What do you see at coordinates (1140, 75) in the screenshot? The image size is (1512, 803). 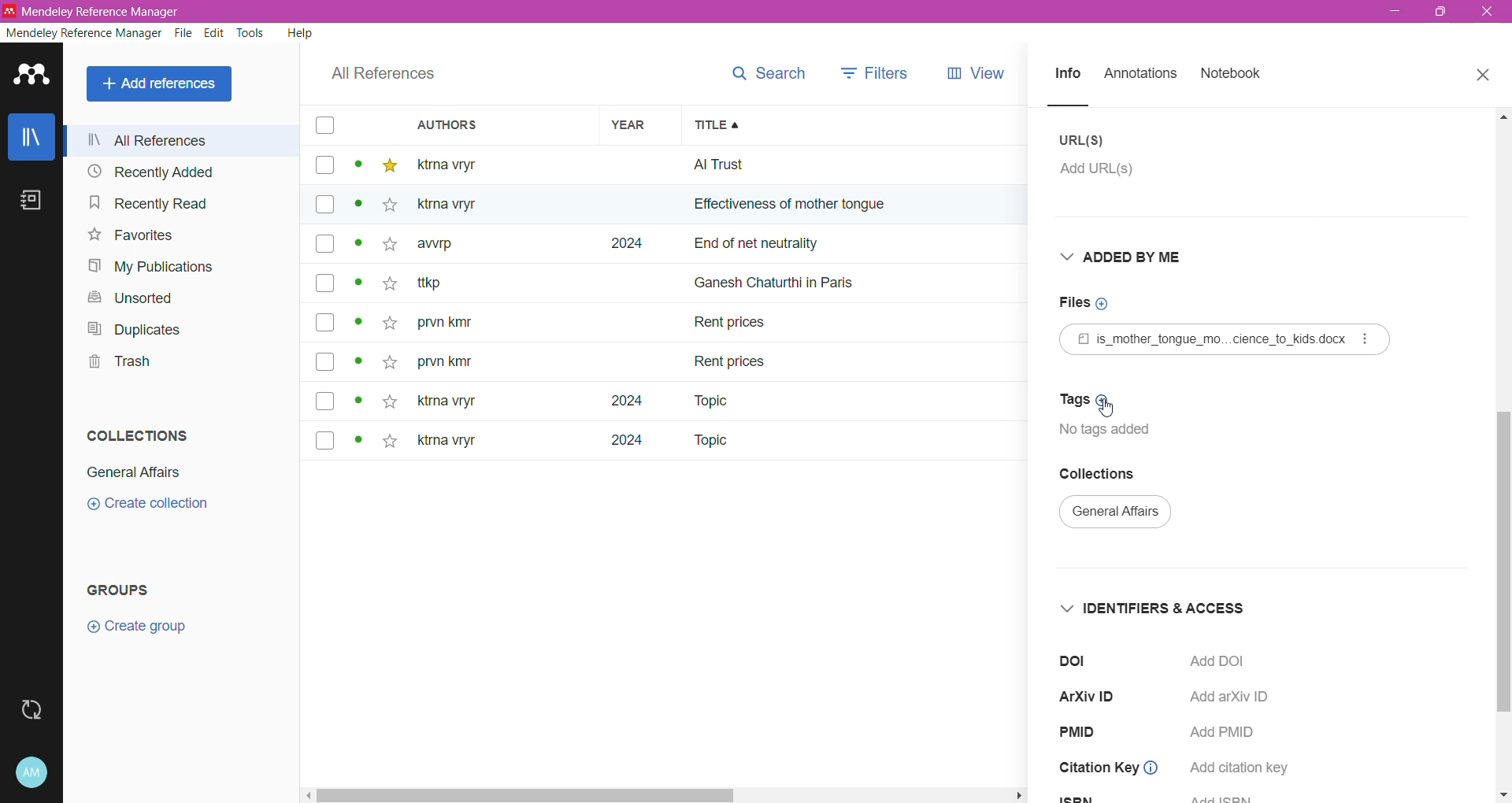 I see `Annotations` at bounding box center [1140, 75].